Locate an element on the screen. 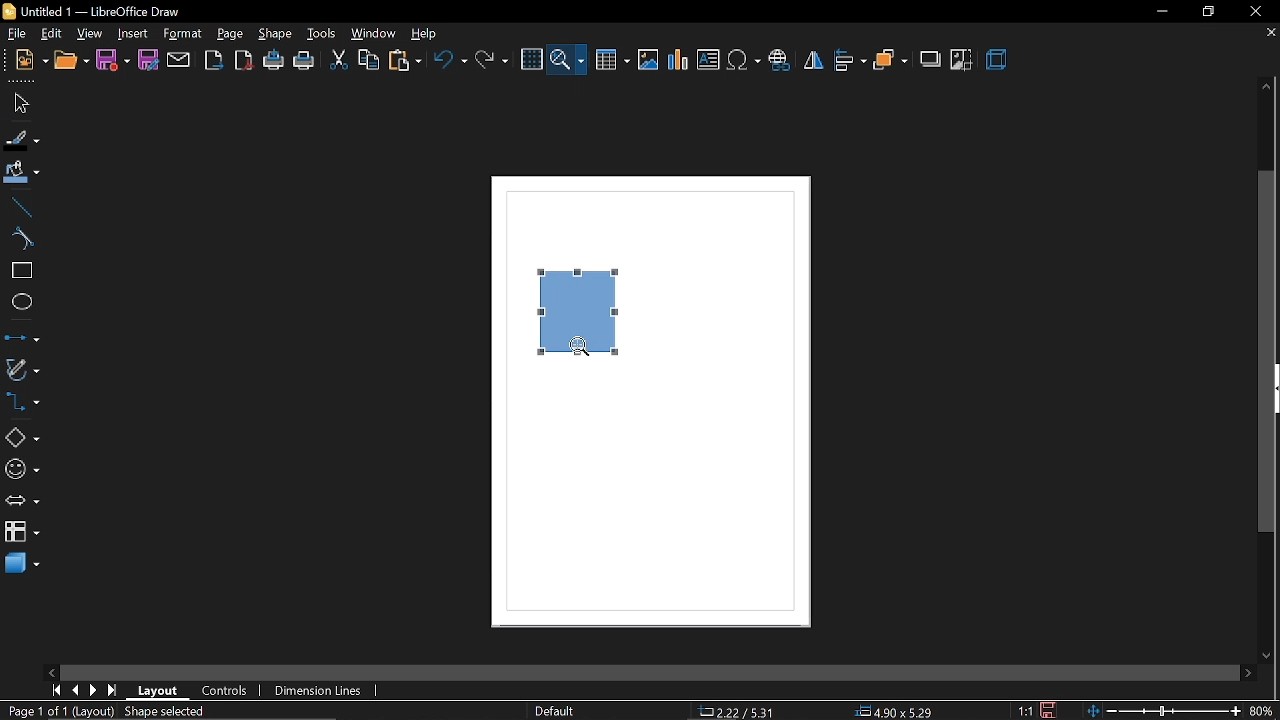 This screenshot has width=1280, height=720. dimension lines is located at coordinates (314, 691).